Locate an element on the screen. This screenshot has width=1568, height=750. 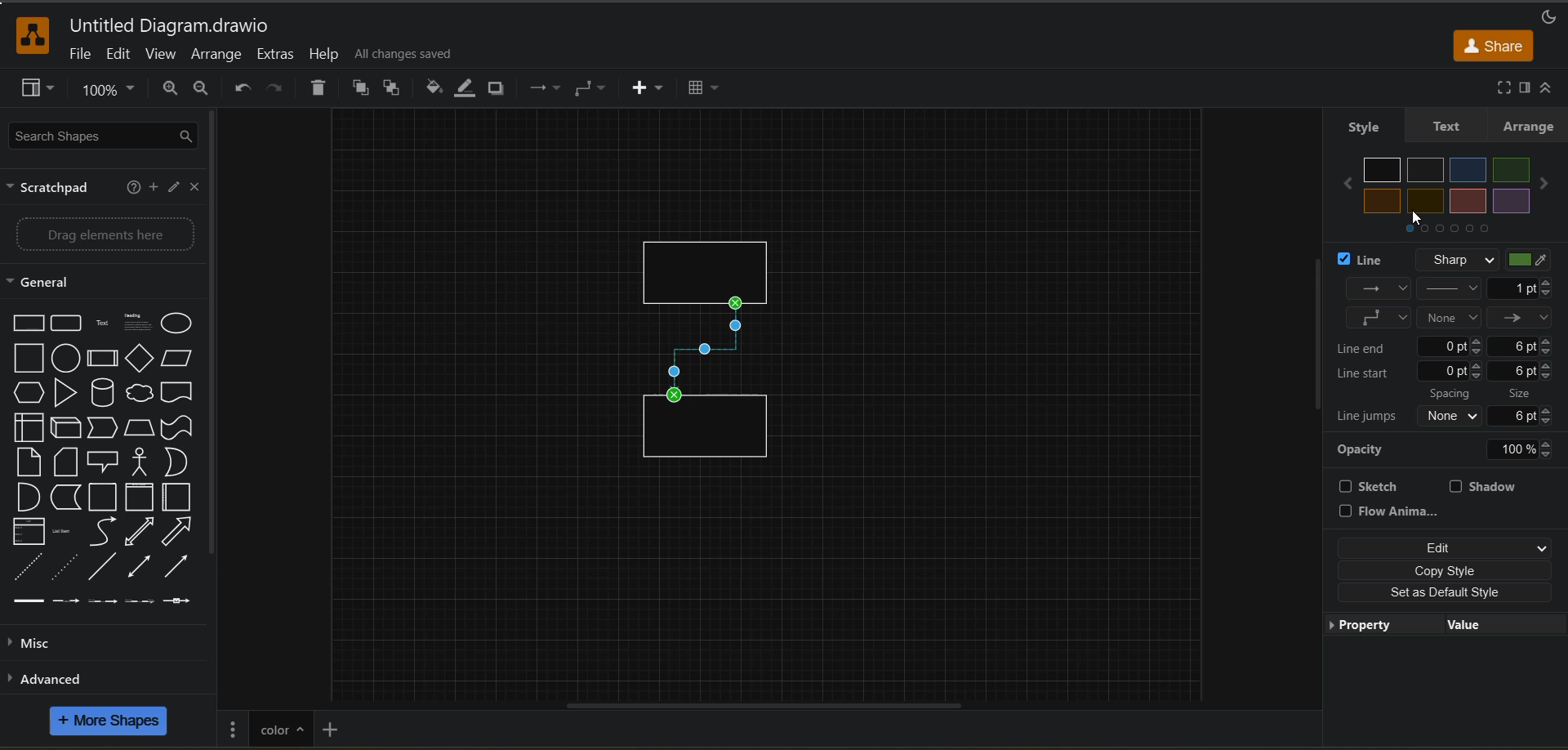
None is located at coordinates (1452, 416).